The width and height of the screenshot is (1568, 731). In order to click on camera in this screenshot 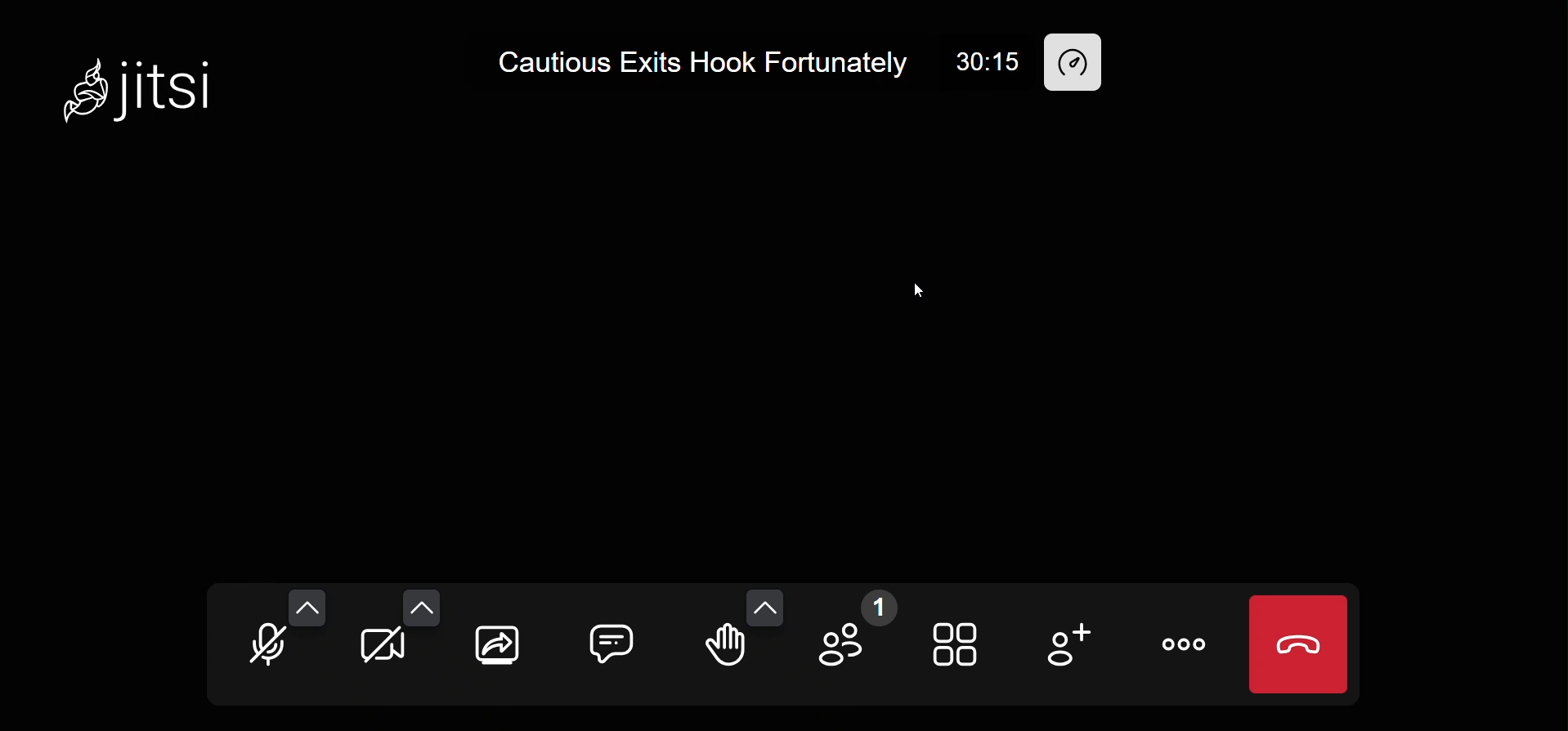, I will do `click(380, 648)`.